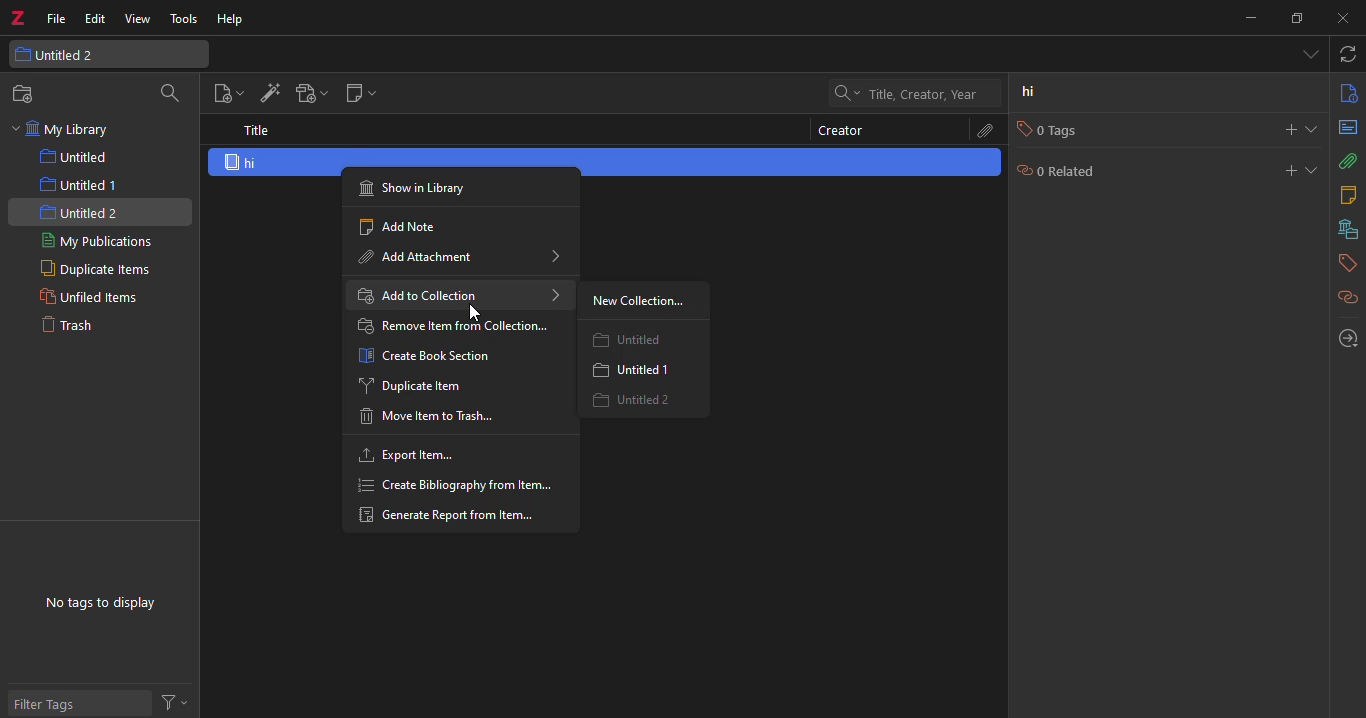 This screenshot has width=1366, height=718. I want to click on new collection, so click(637, 302).